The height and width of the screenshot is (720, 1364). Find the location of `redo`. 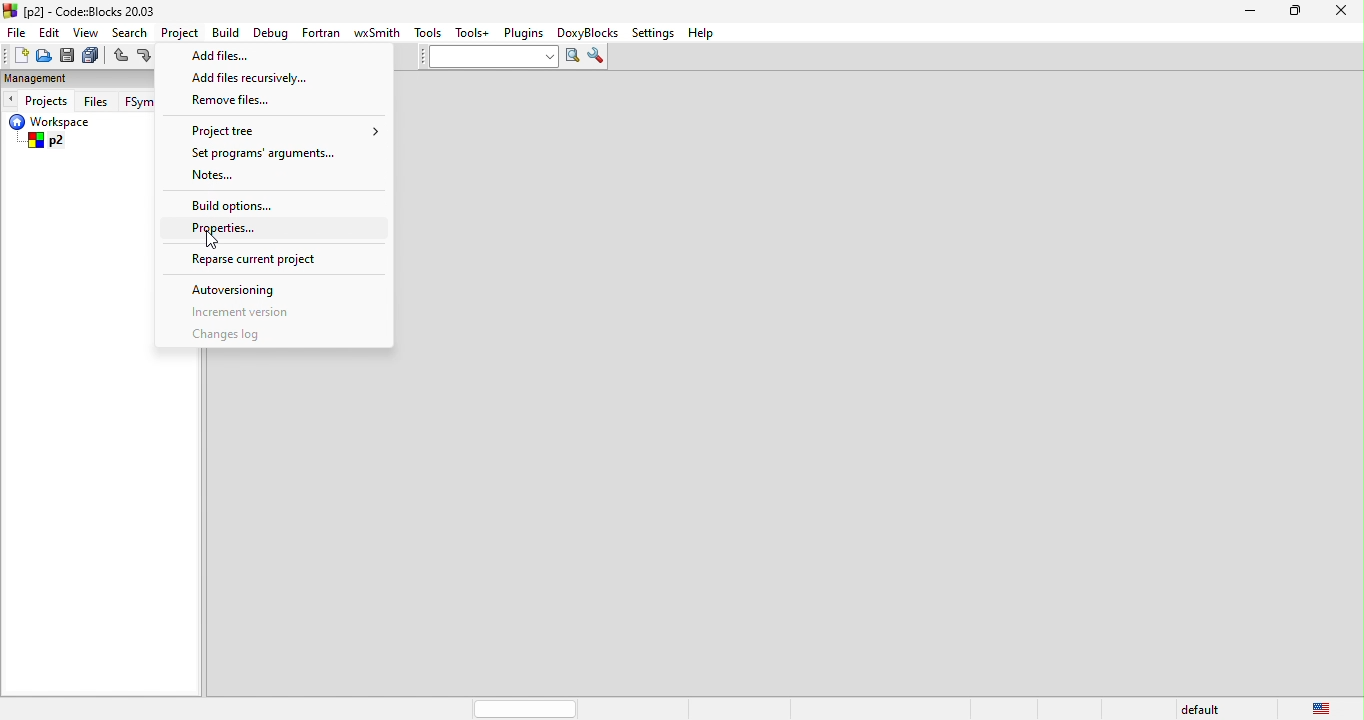

redo is located at coordinates (145, 57).